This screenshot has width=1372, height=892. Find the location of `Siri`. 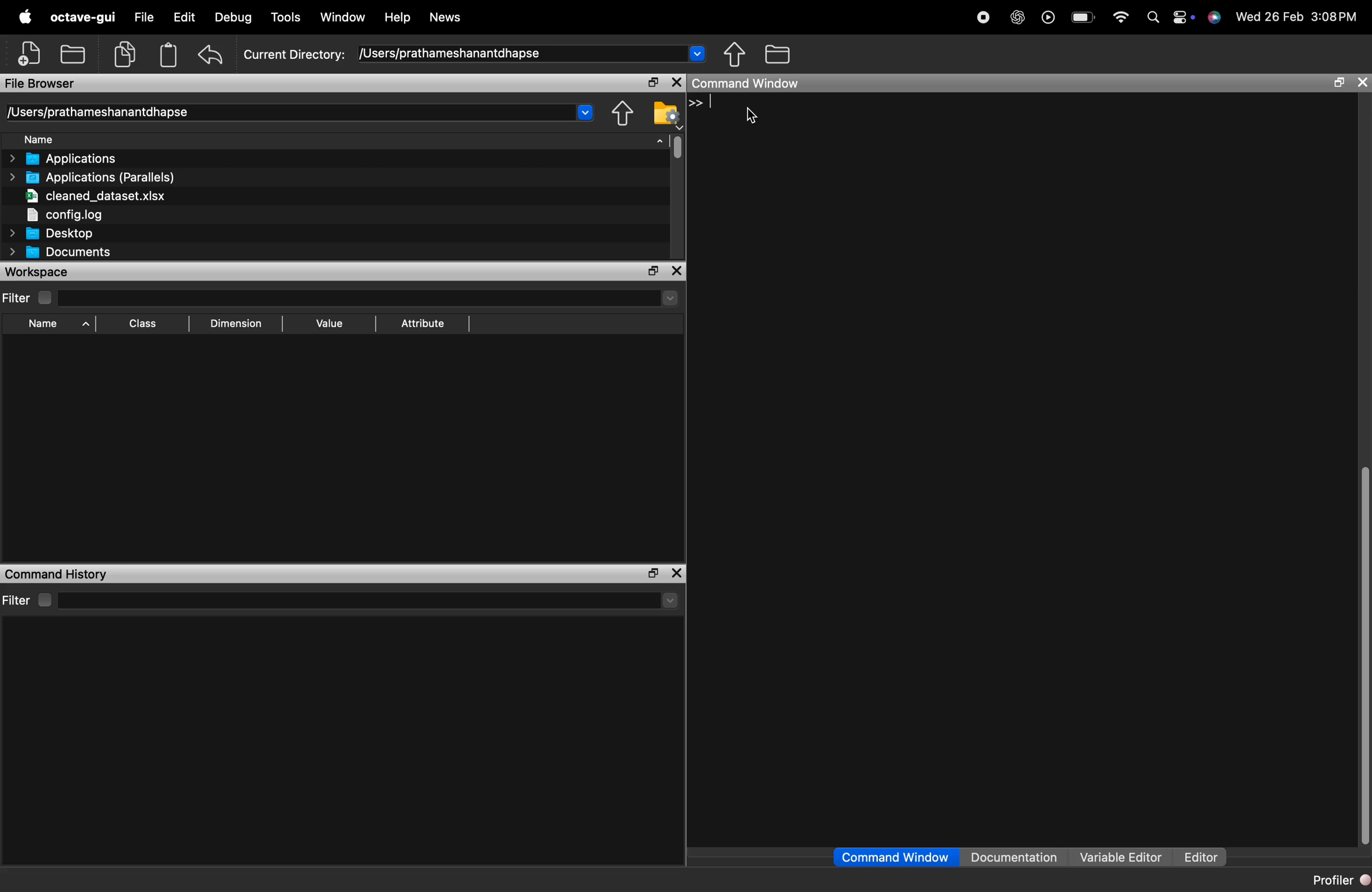

Siri is located at coordinates (1215, 17).